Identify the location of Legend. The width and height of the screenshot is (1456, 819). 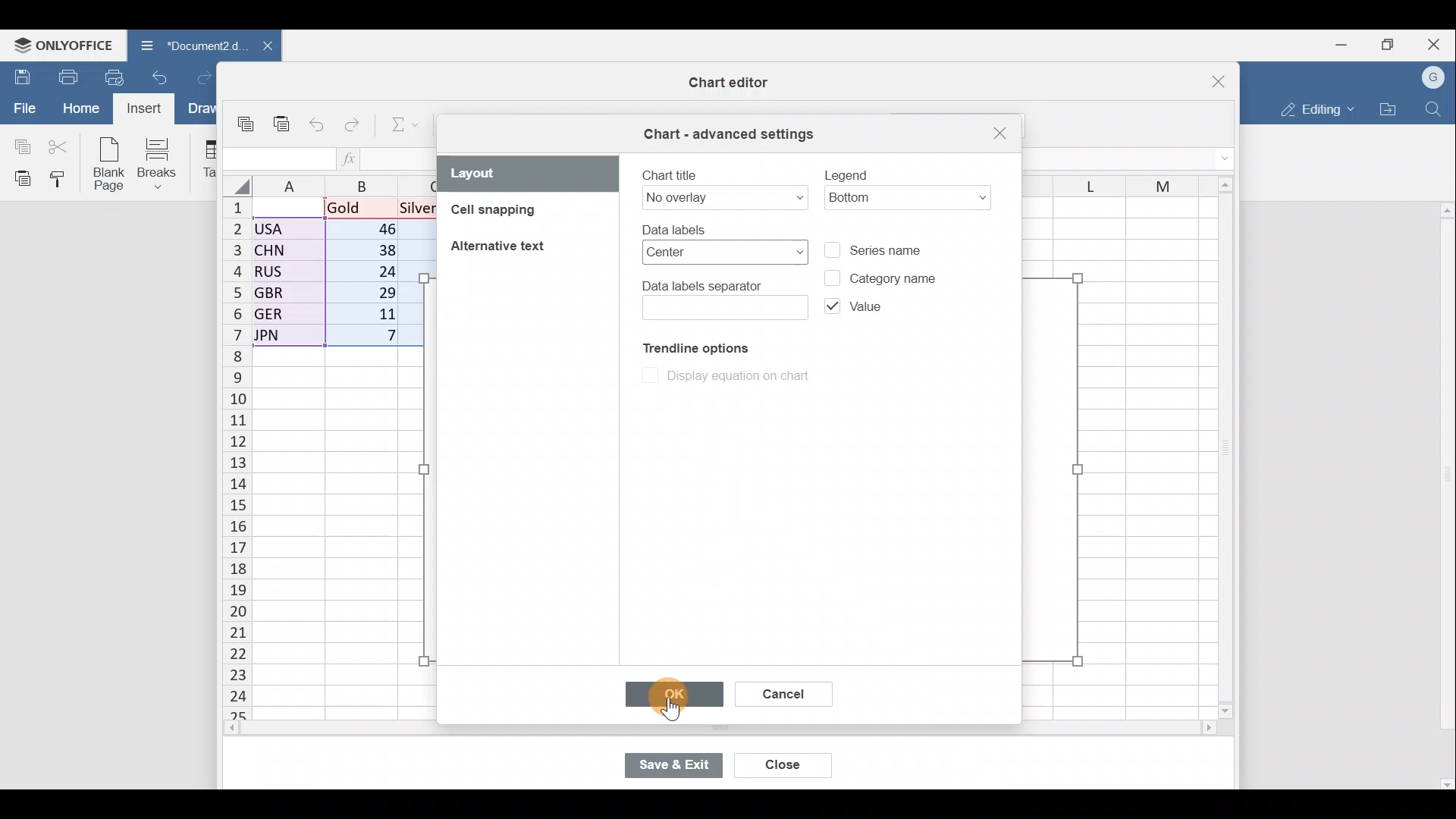
(908, 182).